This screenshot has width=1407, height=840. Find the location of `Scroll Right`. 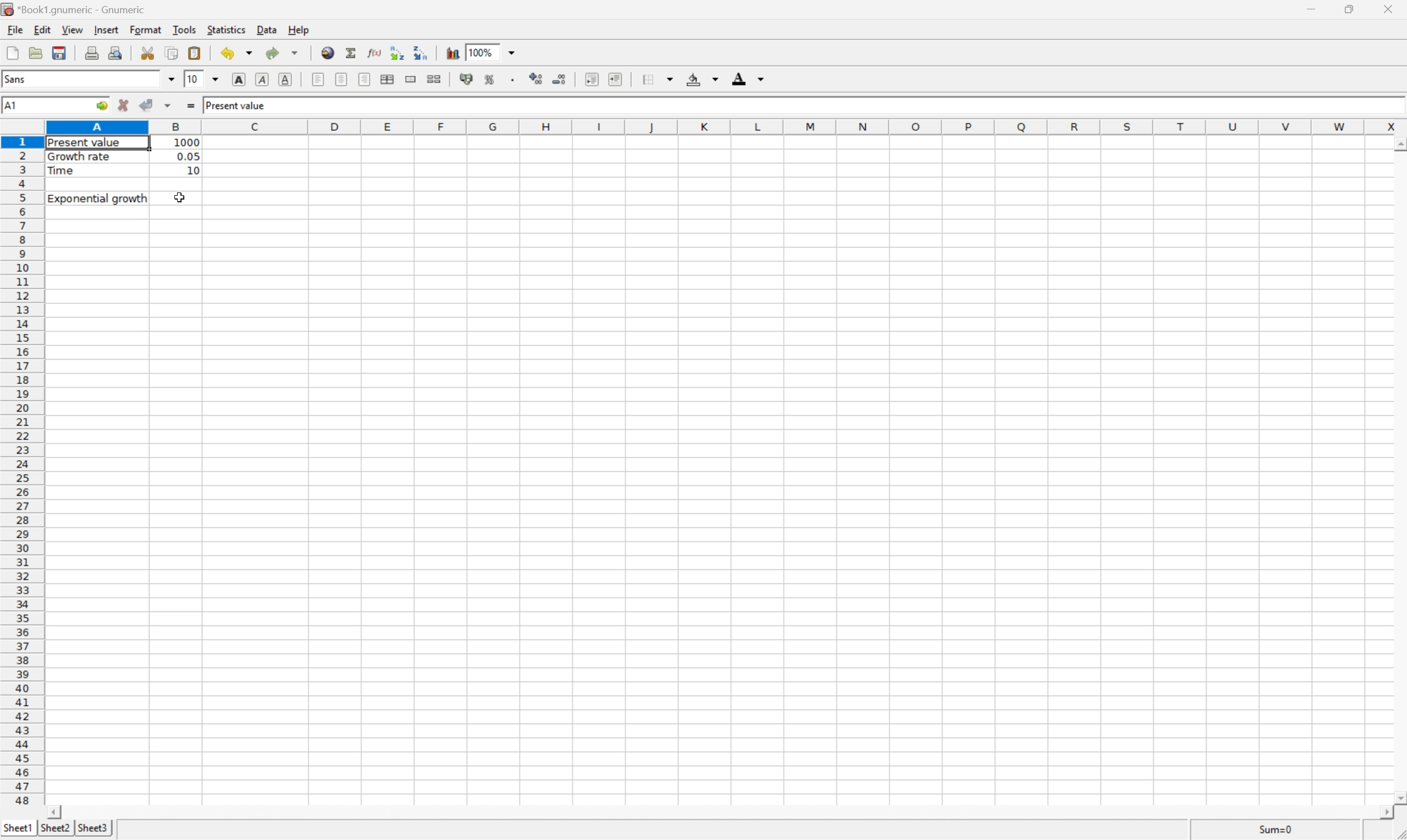

Scroll Right is located at coordinates (1384, 813).